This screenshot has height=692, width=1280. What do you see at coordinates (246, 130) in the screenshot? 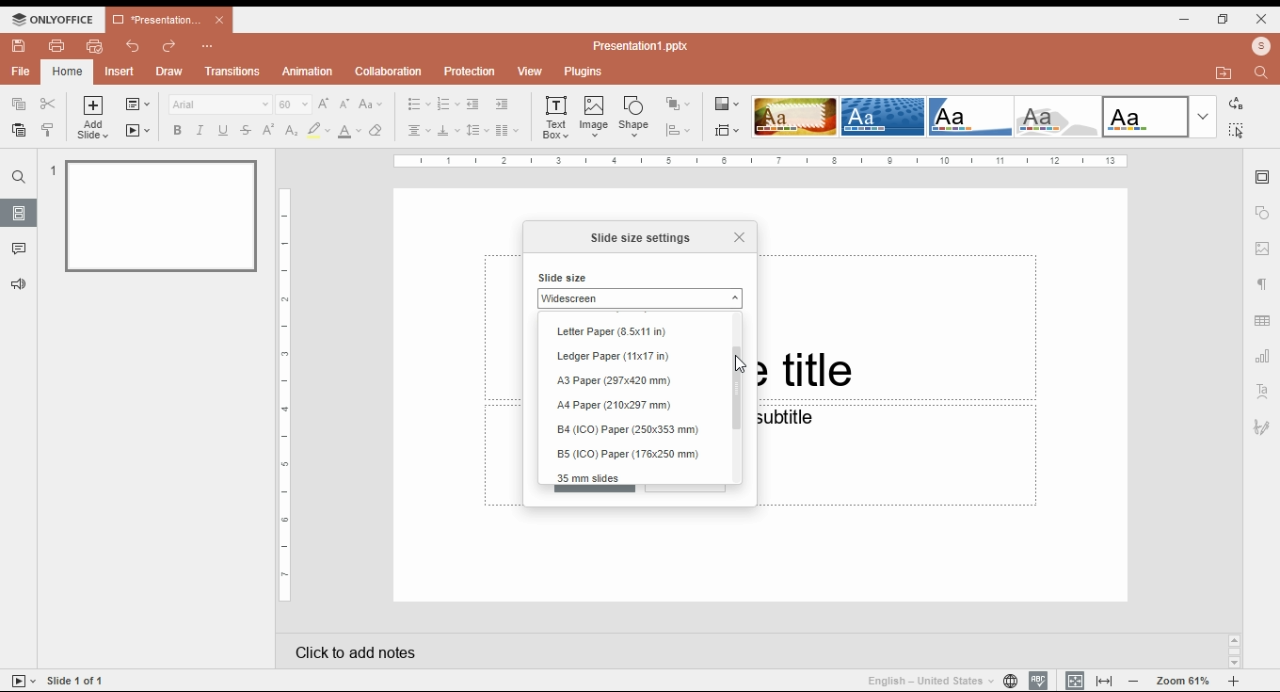
I see `strikethrough` at bounding box center [246, 130].